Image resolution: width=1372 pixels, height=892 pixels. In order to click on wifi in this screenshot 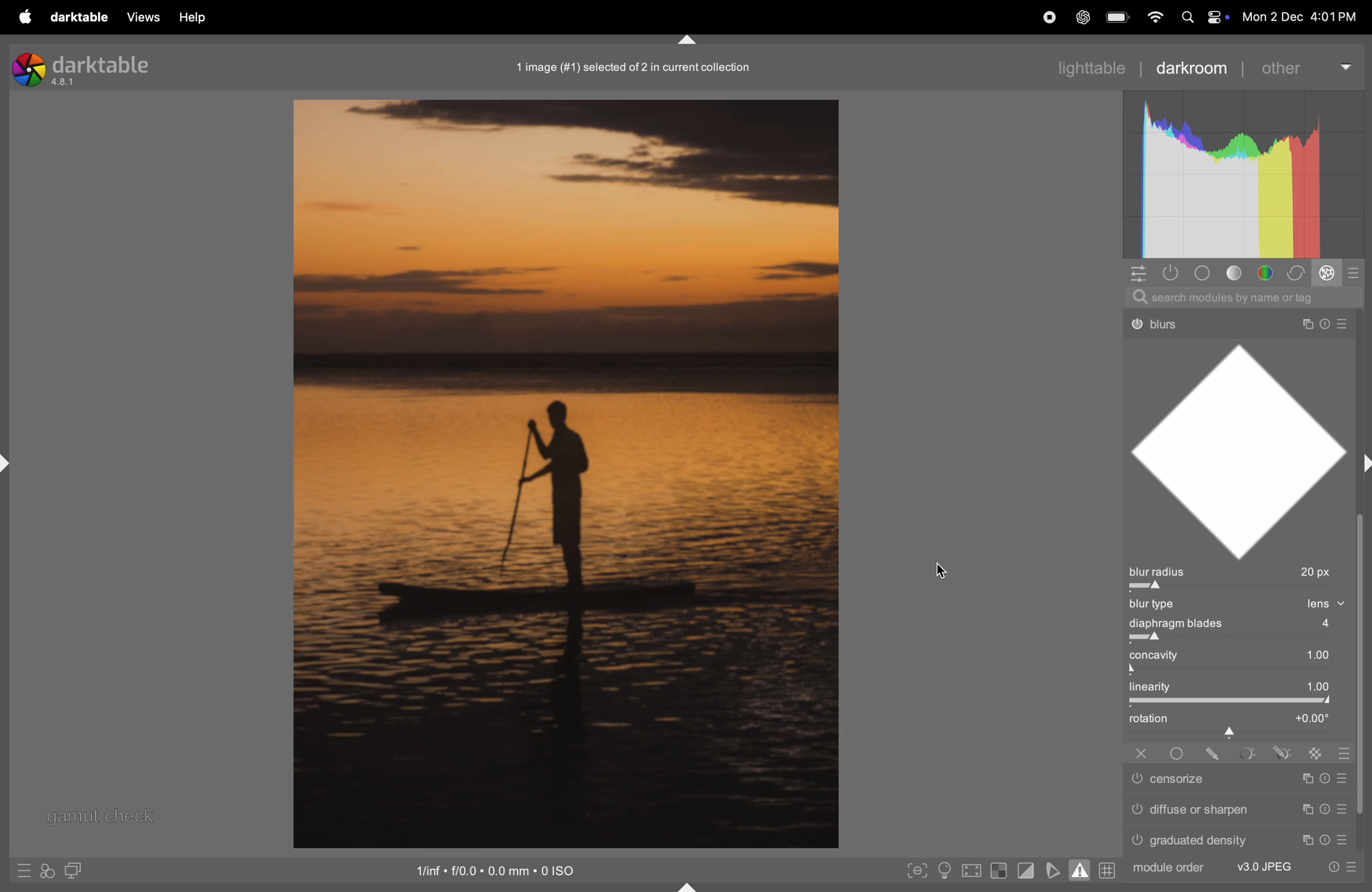, I will do `click(1155, 17)`.